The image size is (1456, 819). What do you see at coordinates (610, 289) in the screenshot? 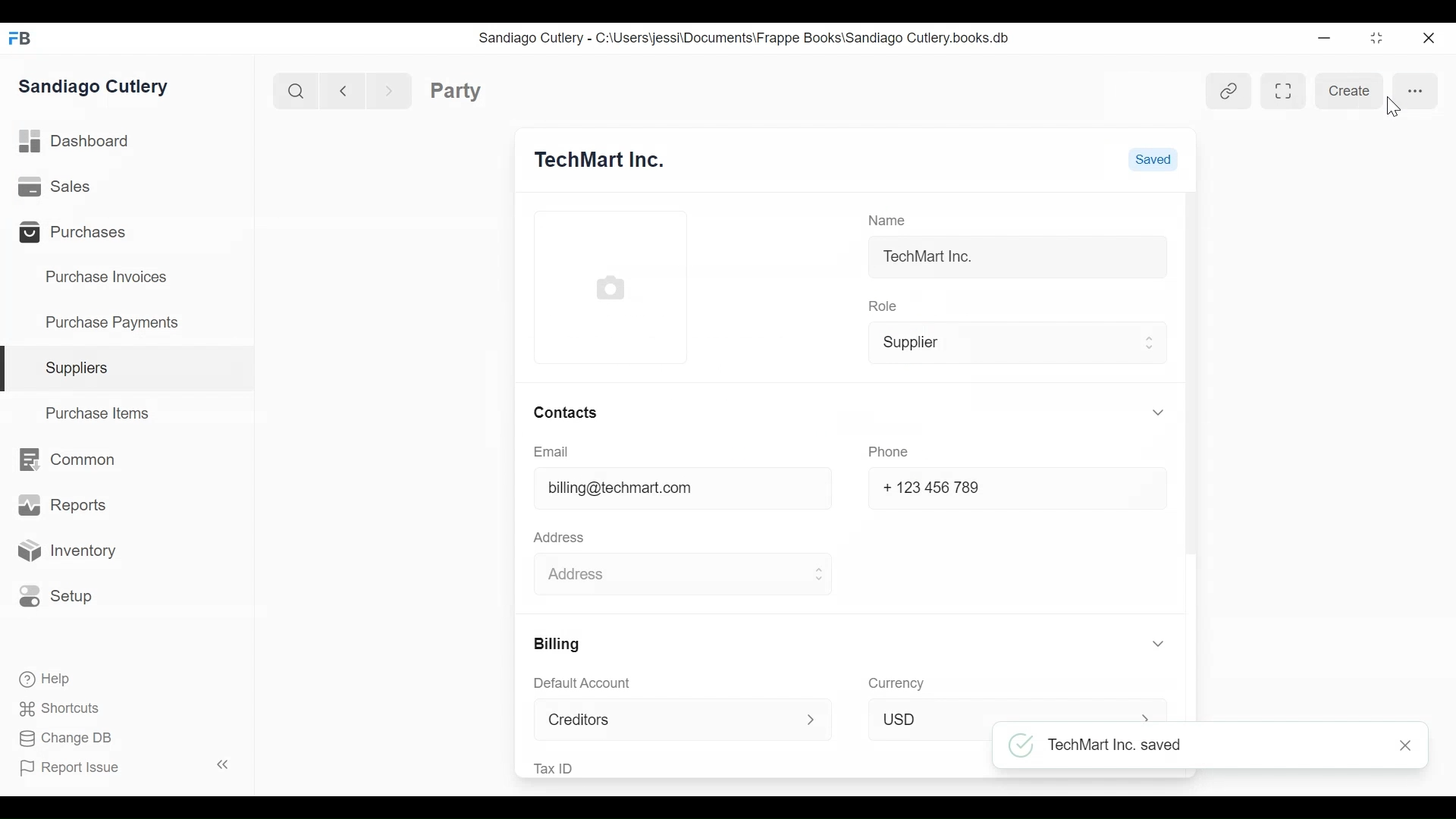
I see `profile picture` at bounding box center [610, 289].